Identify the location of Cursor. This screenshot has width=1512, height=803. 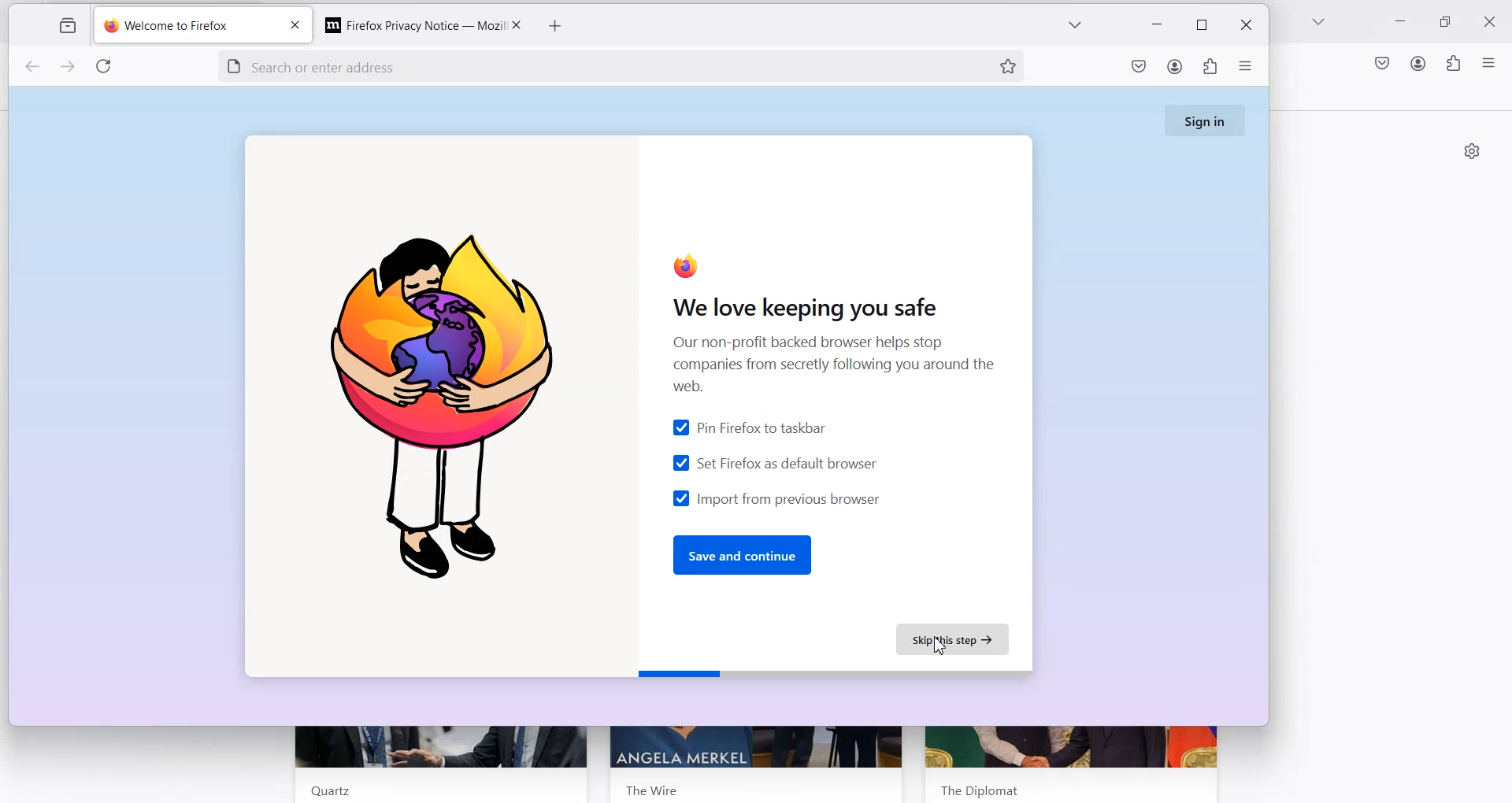
(941, 648).